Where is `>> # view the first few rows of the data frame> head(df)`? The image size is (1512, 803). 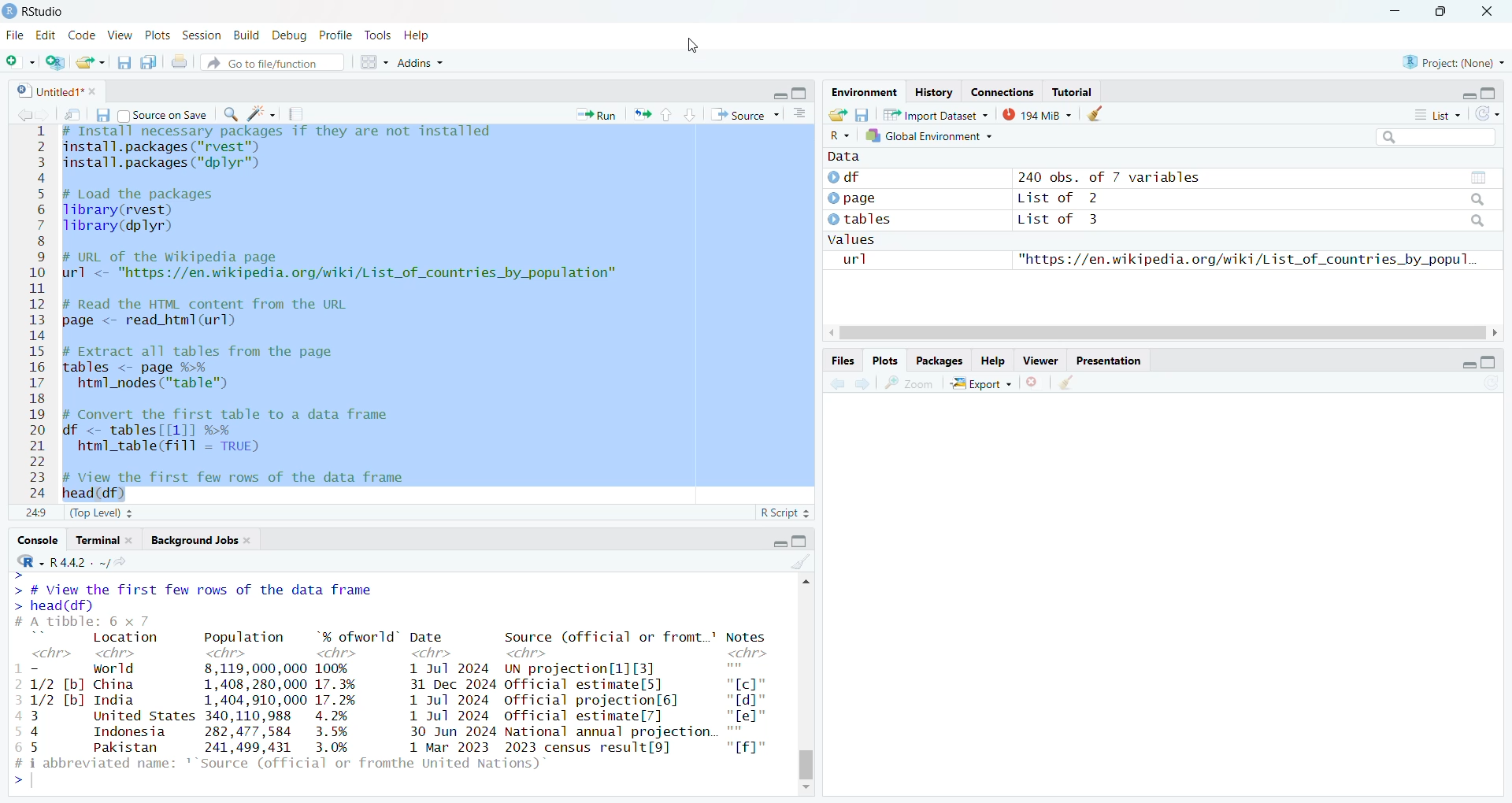 >> # view the first few rows of the data frame> head(df) is located at coordinates (194, 593).